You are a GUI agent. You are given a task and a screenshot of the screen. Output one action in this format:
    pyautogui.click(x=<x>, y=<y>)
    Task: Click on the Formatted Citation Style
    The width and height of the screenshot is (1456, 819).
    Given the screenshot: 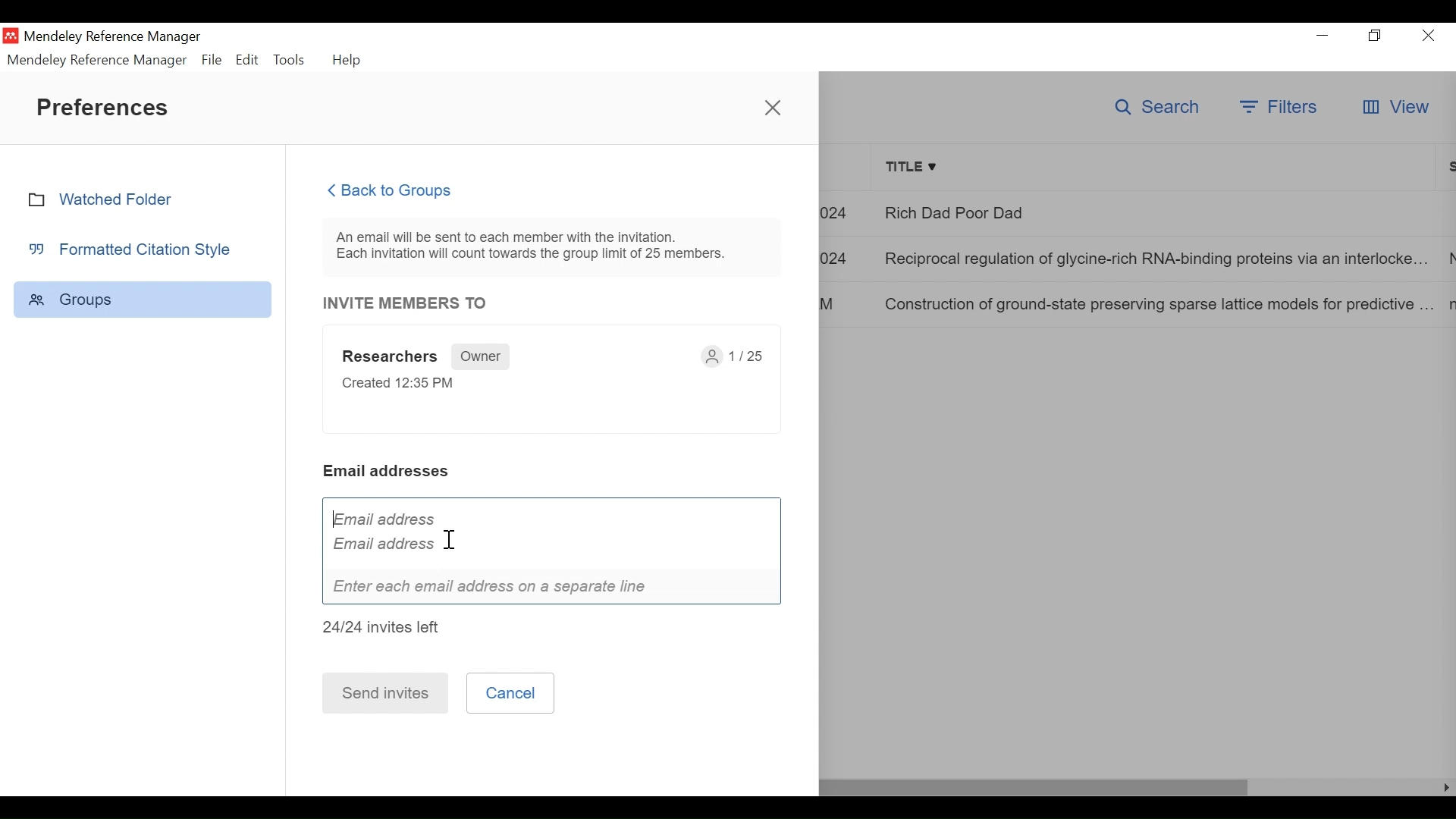 What is the action you would take?
    pyautogui.click(x=136, y=249)
    